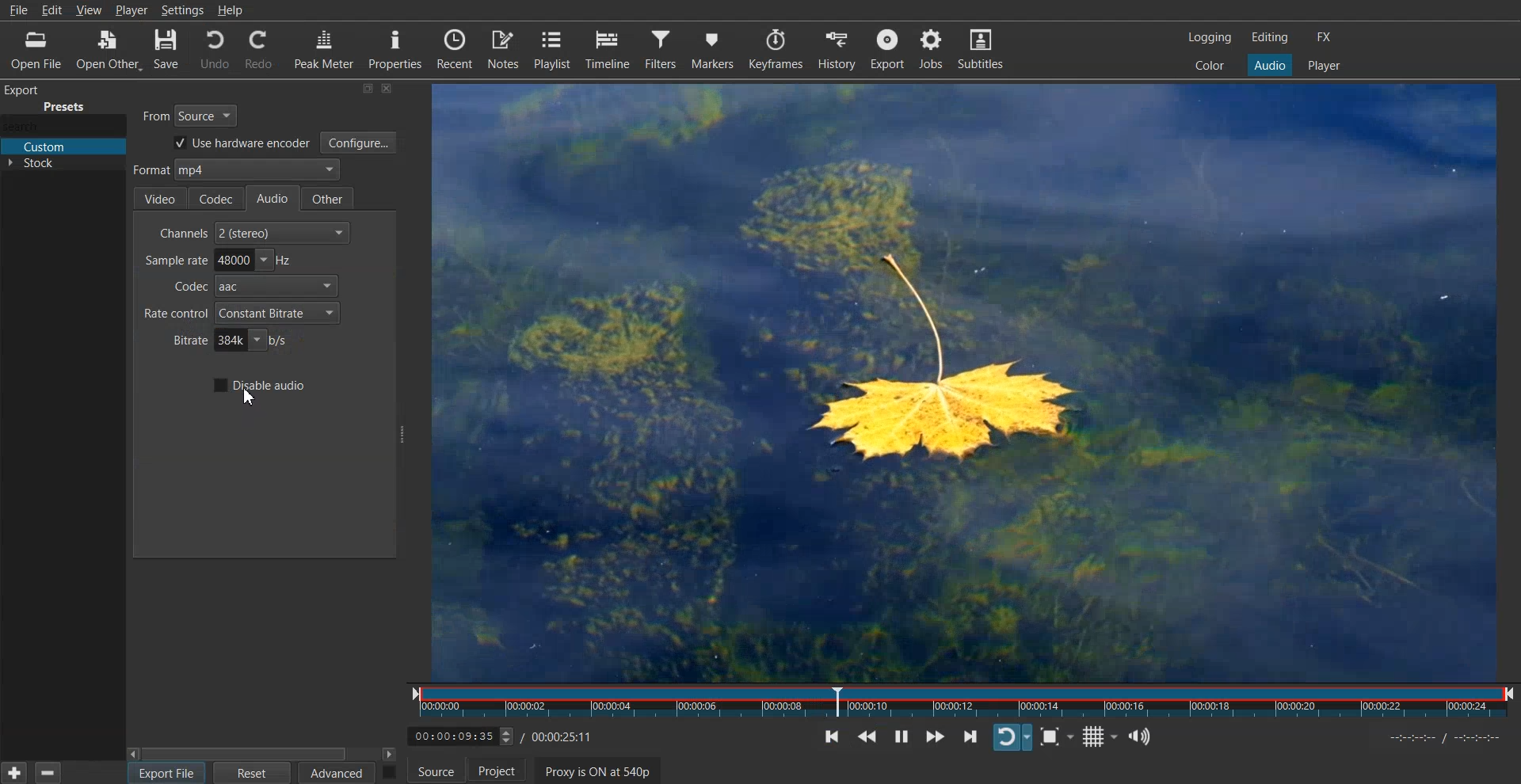 This screenshot has width=1521, height=784. What do you see at coordinates (337, 773) in the screenshot?
I see `Advanced` at bounding box center [337, 773].